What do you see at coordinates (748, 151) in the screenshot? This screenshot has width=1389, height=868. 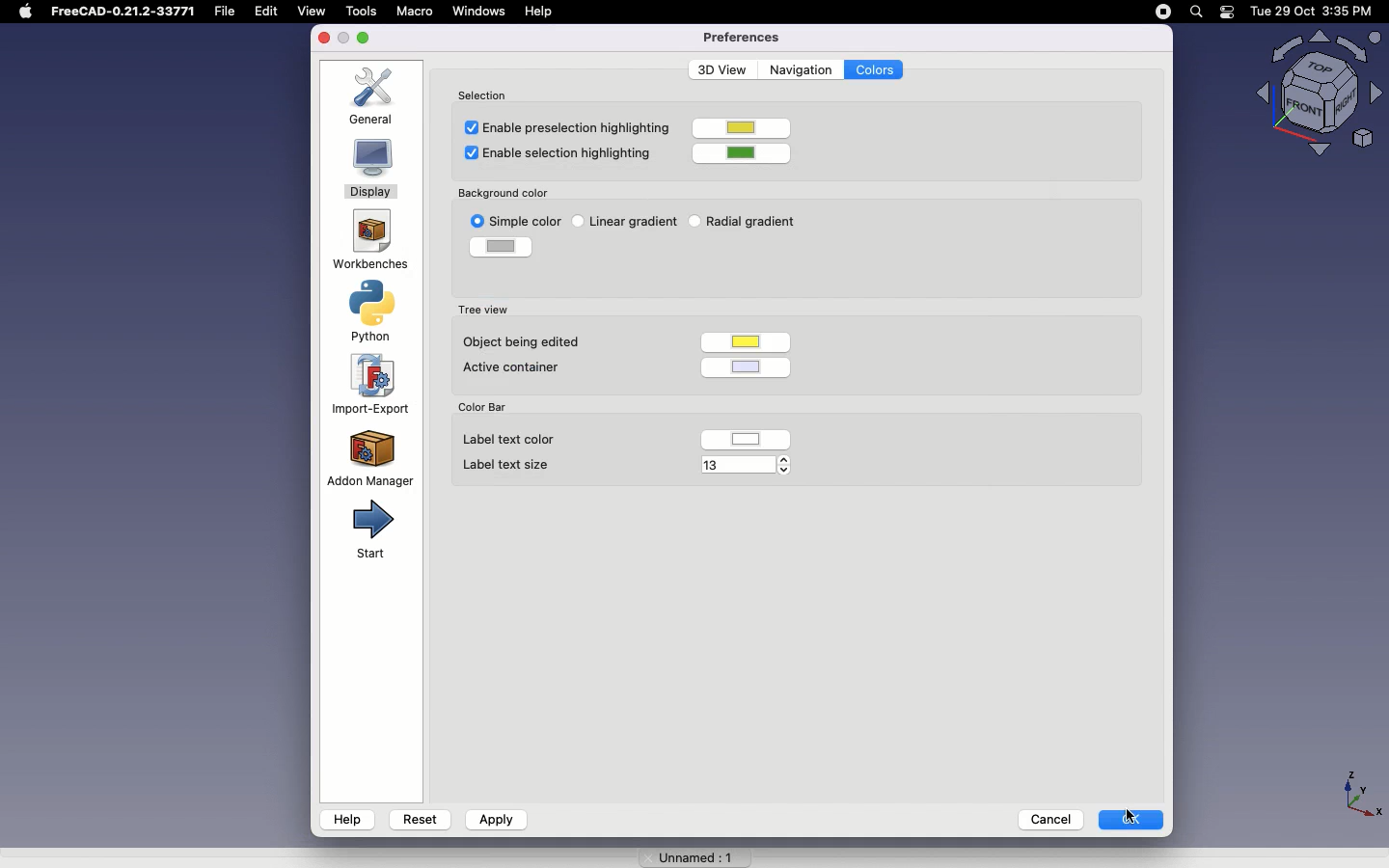 I see `color` at bounding box center [748, 151].